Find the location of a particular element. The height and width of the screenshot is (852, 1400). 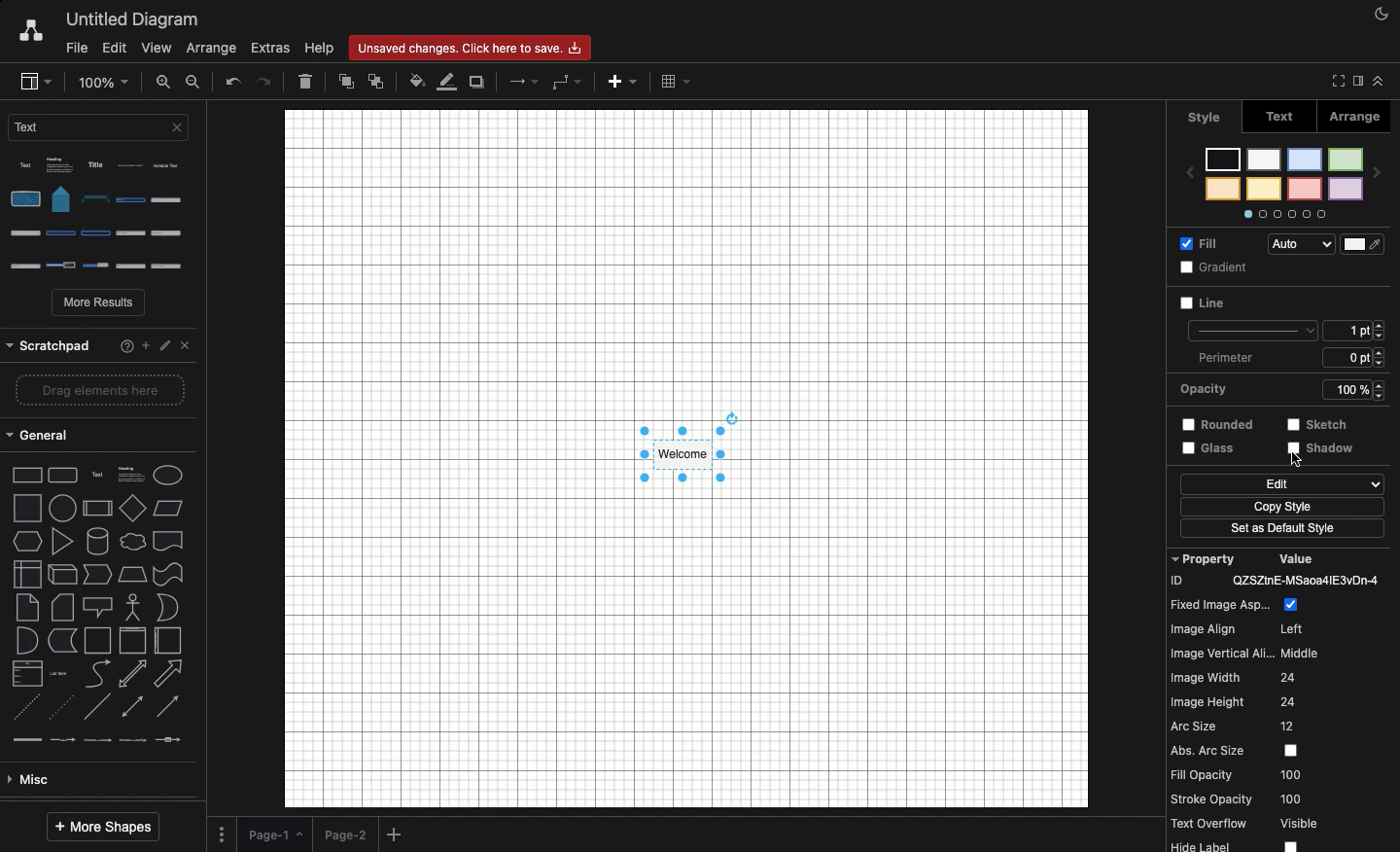

Options is located at coordinates (222, 833).